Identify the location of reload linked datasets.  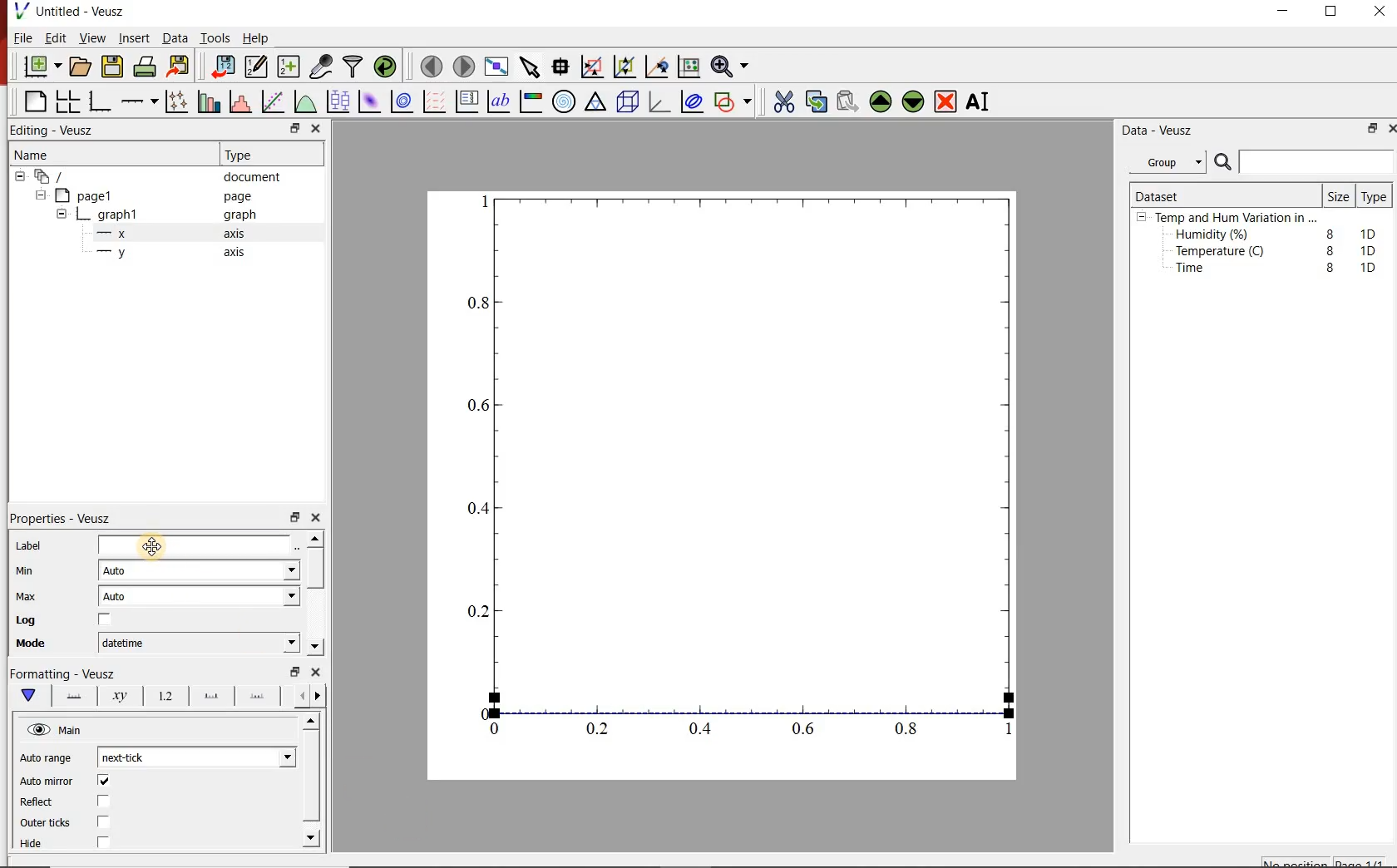
(385, 67).